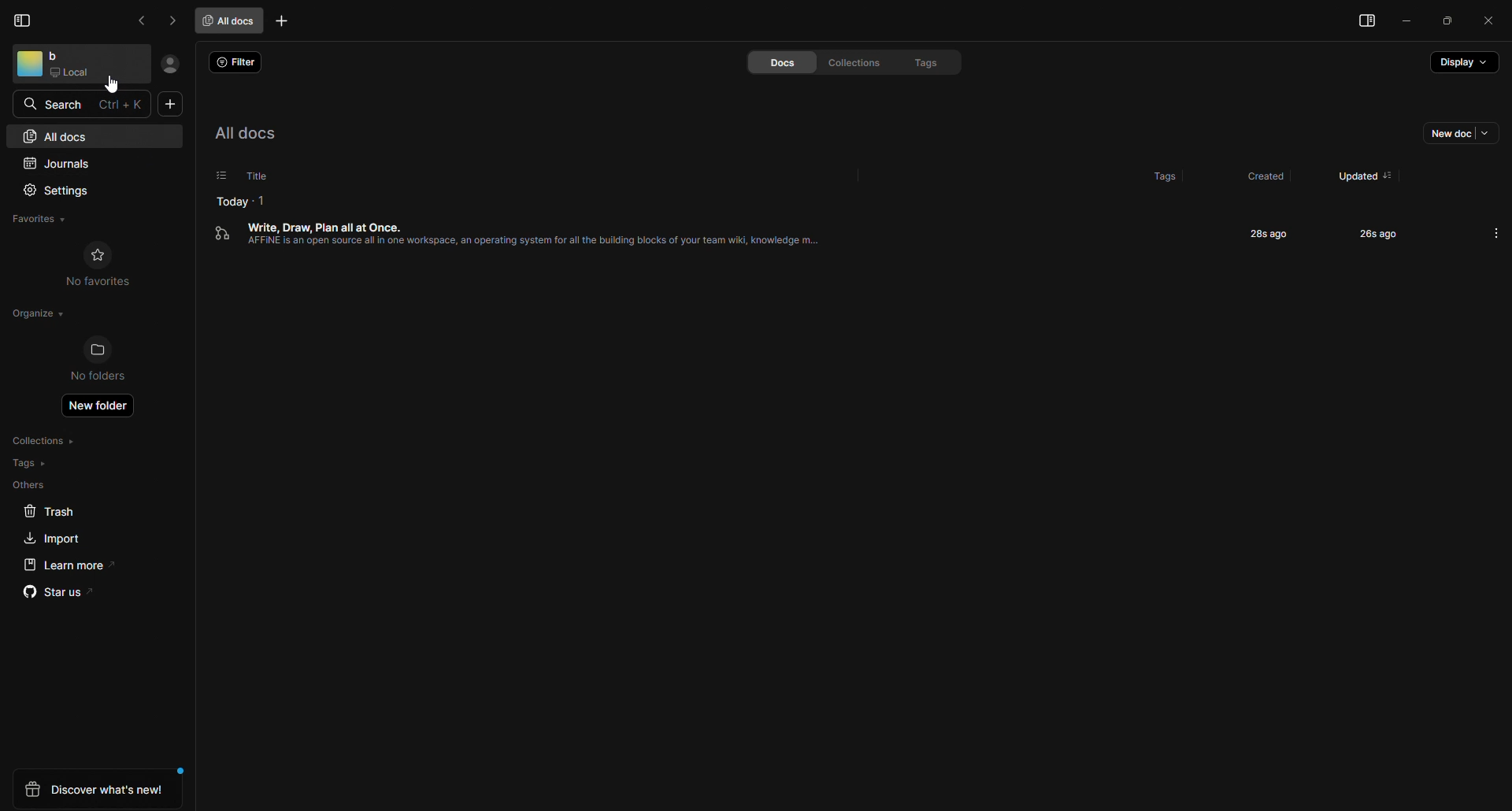  I want to click on view, so click(1362, 23).